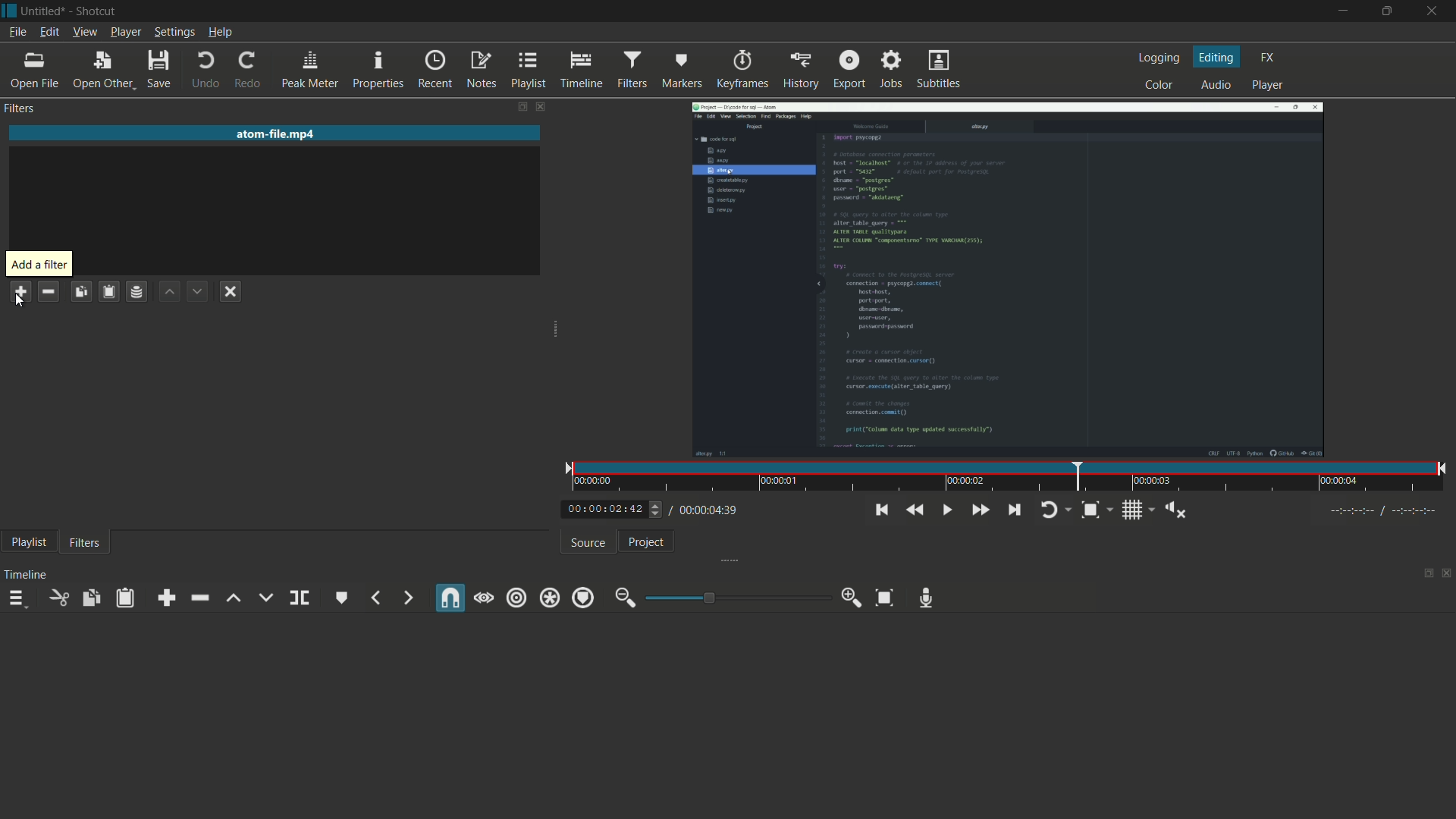 Image resolution: width=1456 pixels, height=819 pixels. Describe the element at coordinates (1179, 511) in the screenshot. I see `show volume control` at that location.